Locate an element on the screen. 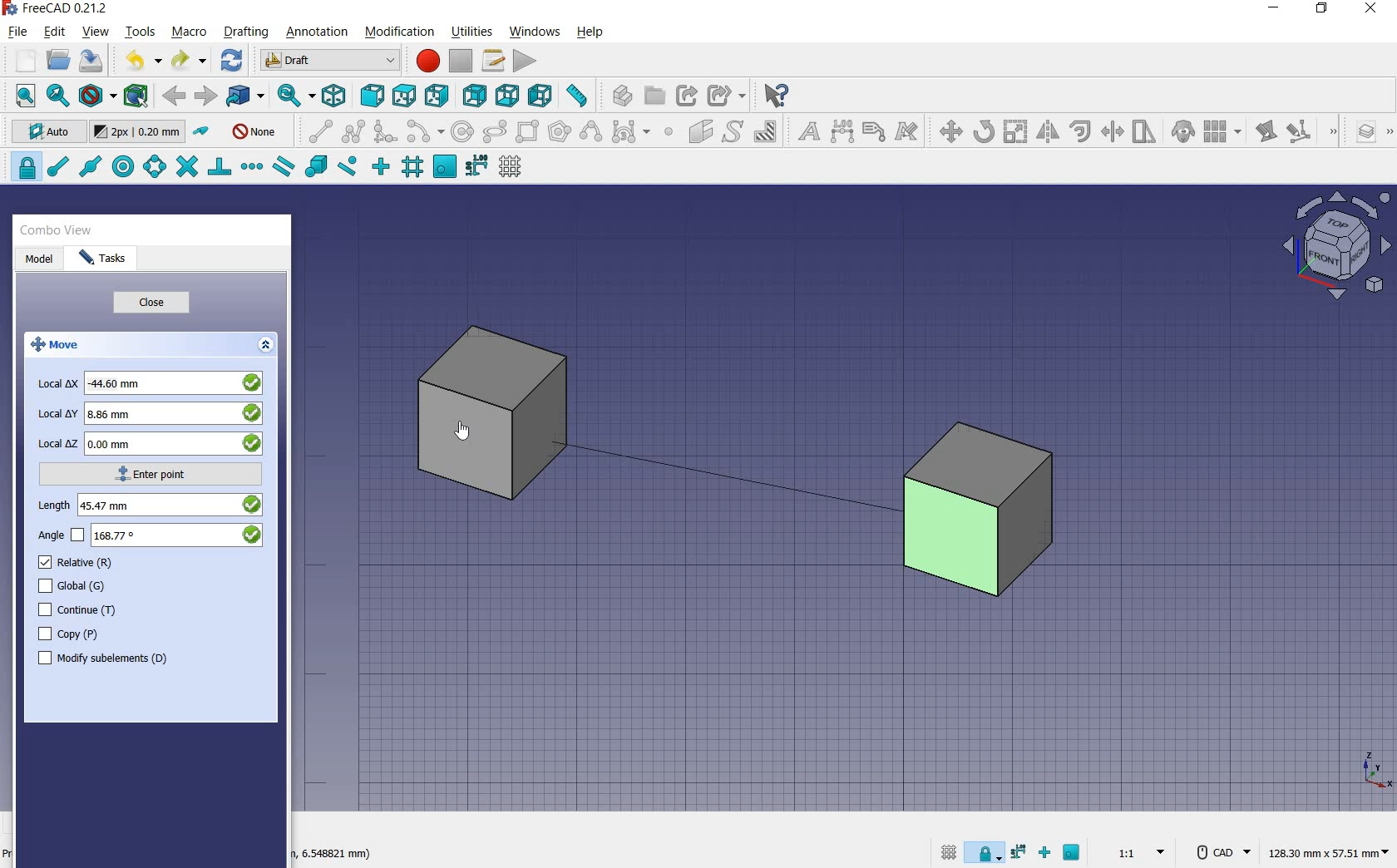 This screenshot has height=868, width=1397. tasks is located at coordinates (105, 257).